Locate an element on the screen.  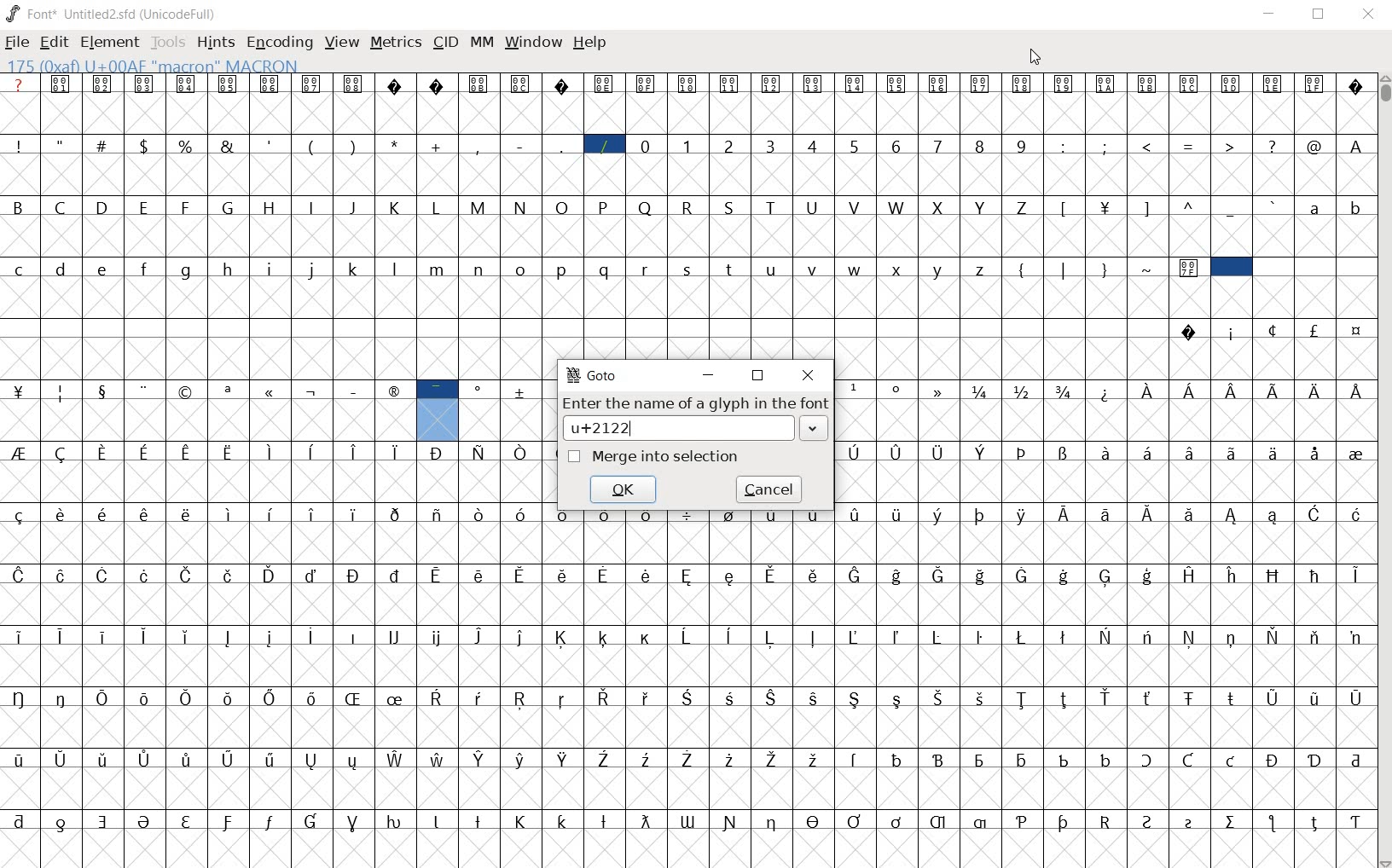
special characters is located at coordinates (19, 565).